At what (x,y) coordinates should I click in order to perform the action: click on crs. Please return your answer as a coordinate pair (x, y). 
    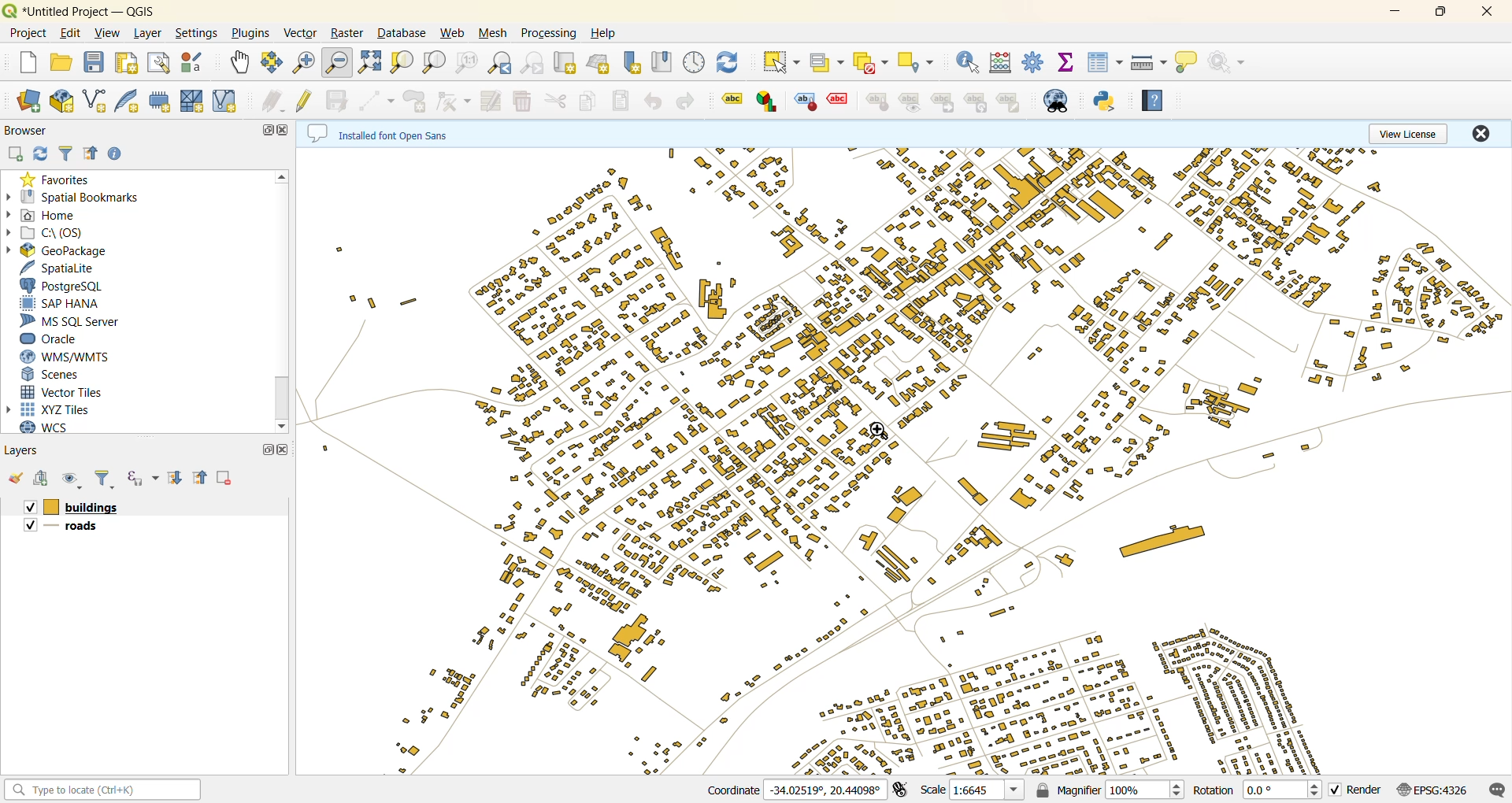
    Looking at the image, I should click on (1436, 791).